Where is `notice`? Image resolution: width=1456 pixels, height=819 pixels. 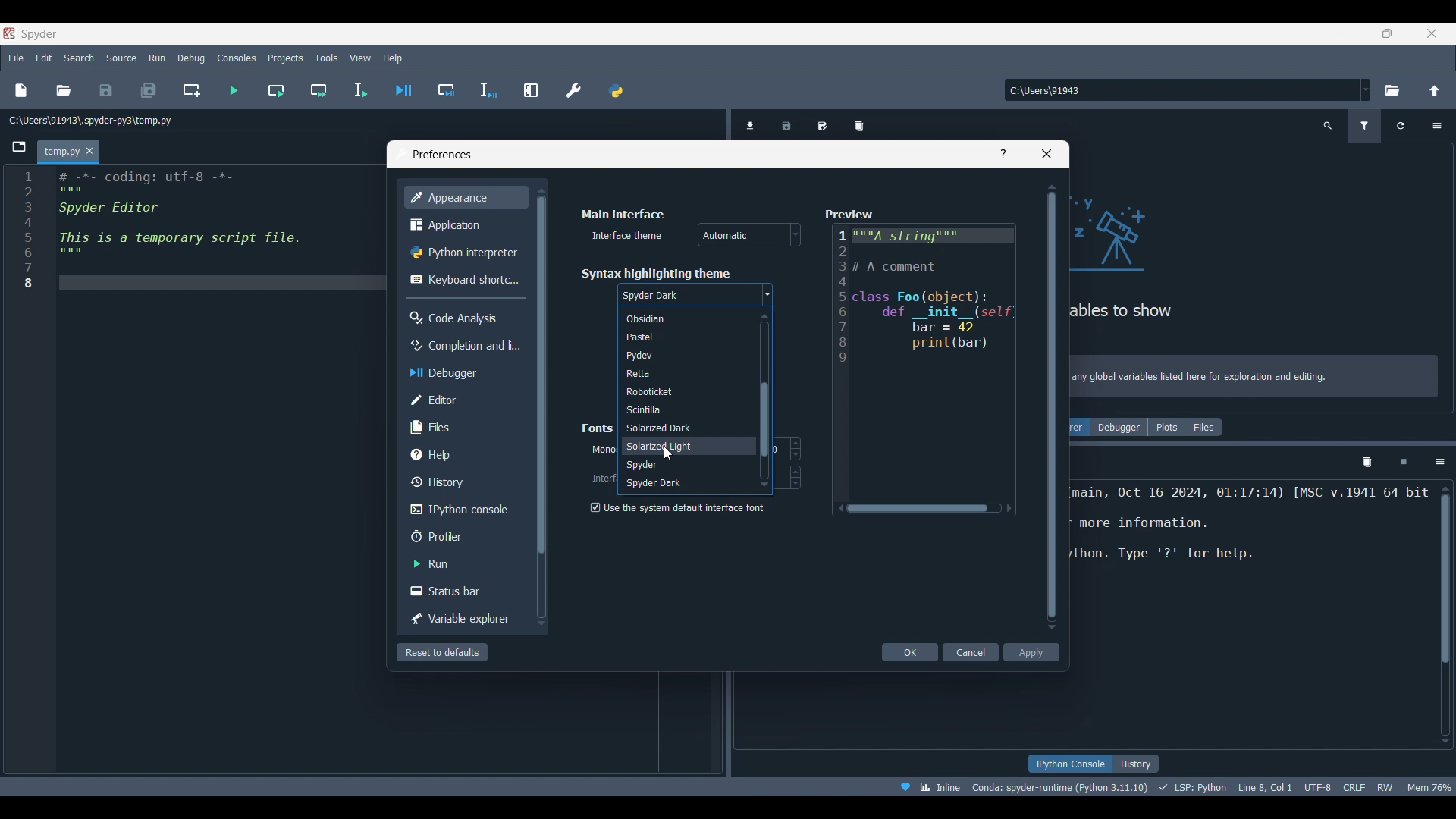
notice is located at coordinates (1257, 374).